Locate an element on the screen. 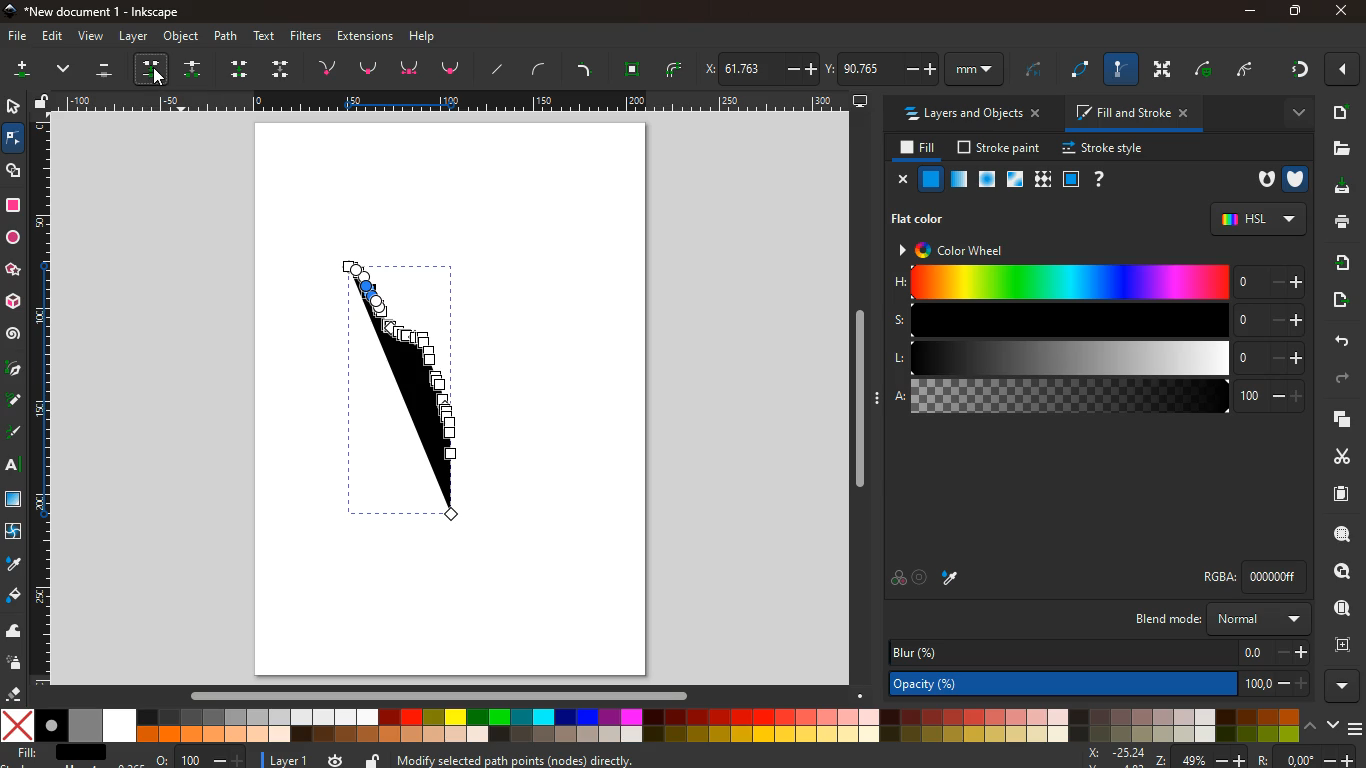 This screenshot has height=768, width=1366. twist is located at coordinates (15, 532).